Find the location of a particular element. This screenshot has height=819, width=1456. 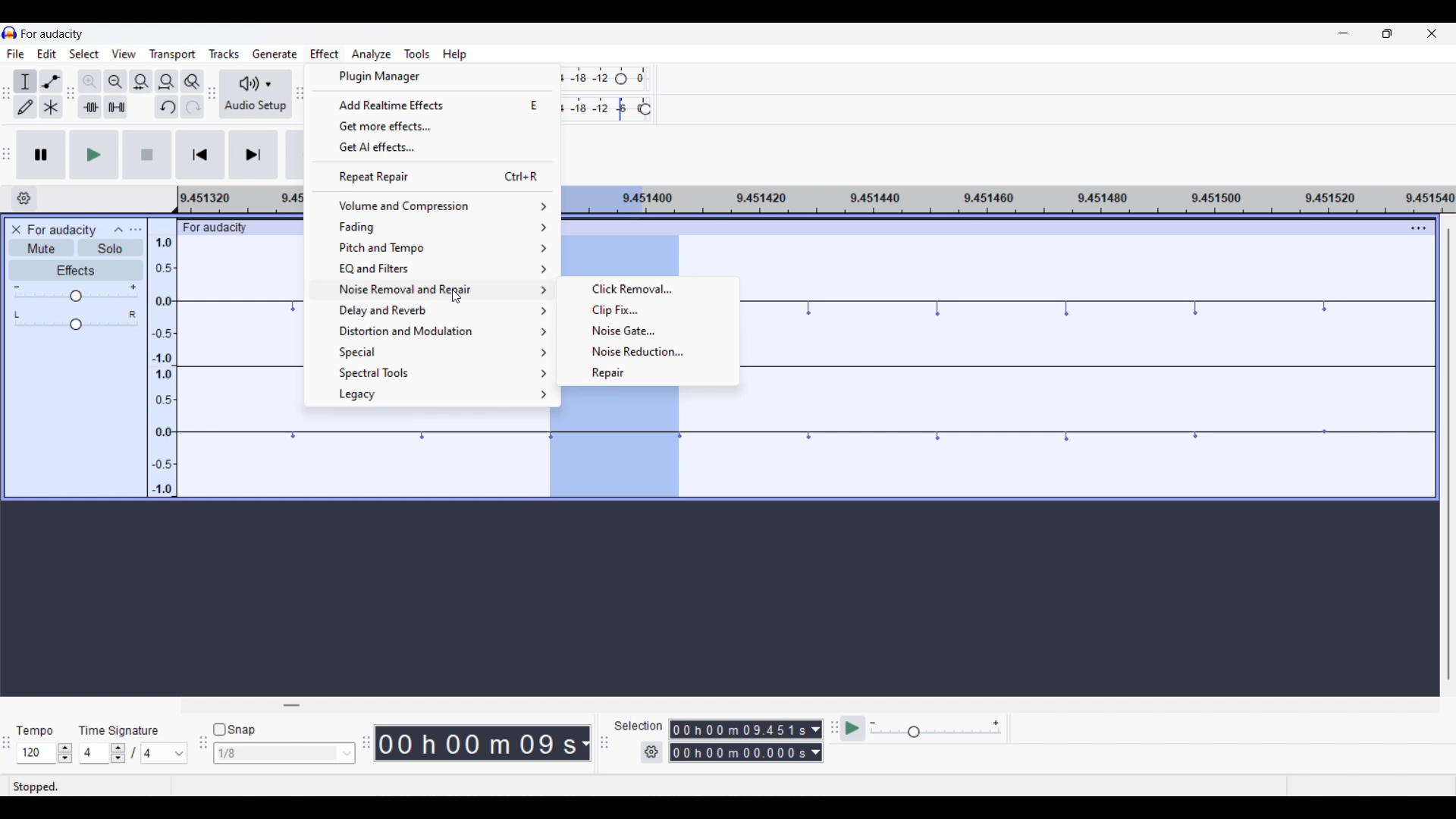

Play/Play once is located at coordinates (94, 155).